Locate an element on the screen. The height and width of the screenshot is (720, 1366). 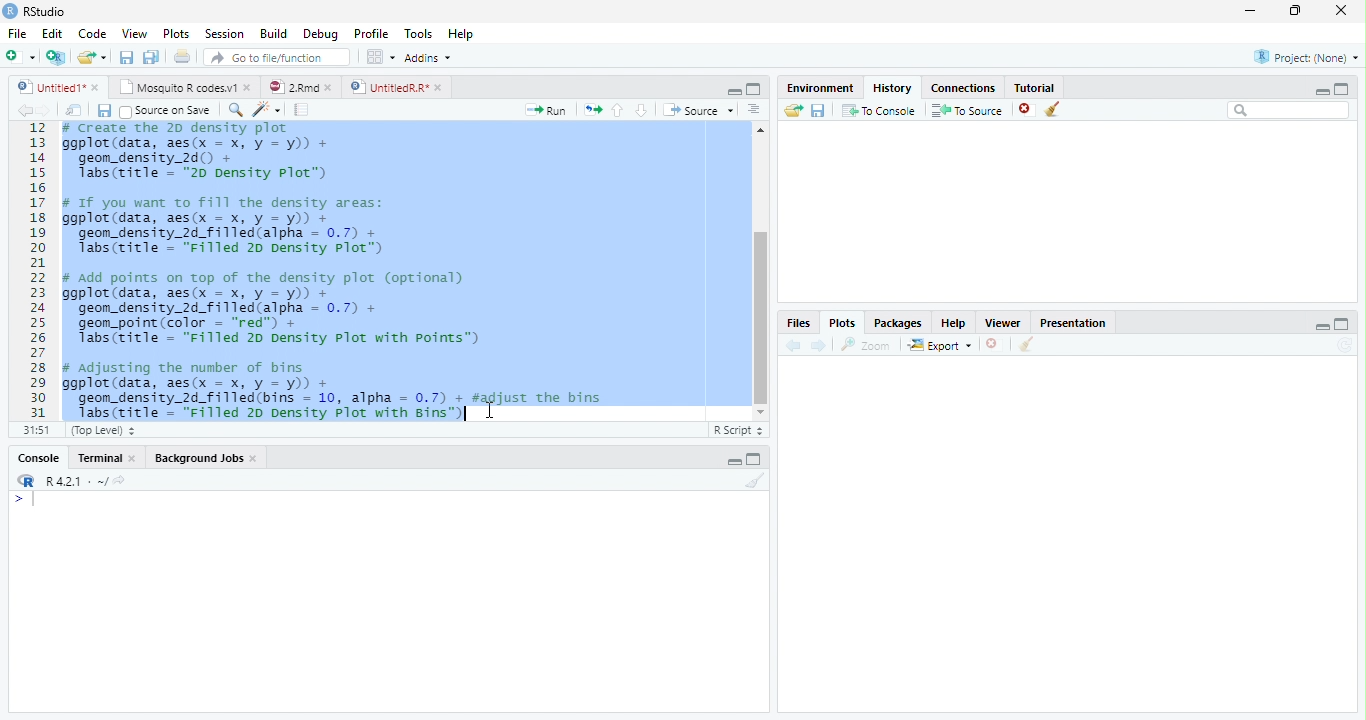
Load workspace is located at coordinates (791, 111).